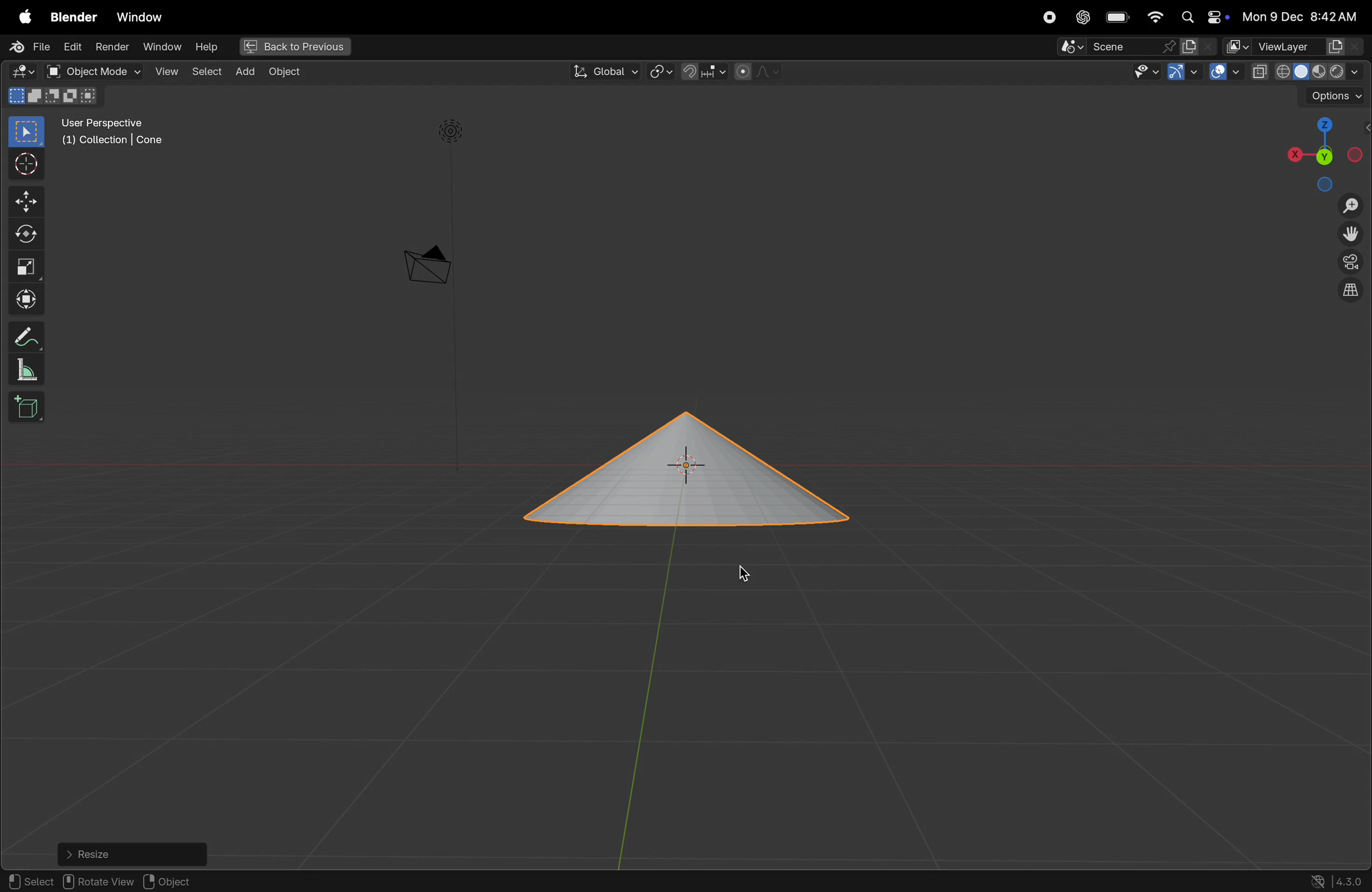 This screenshot has height=892, width=1372. Describe the element at coordinates (1353, 205) in the screenshot. I see `zoom in zom out` at that location.